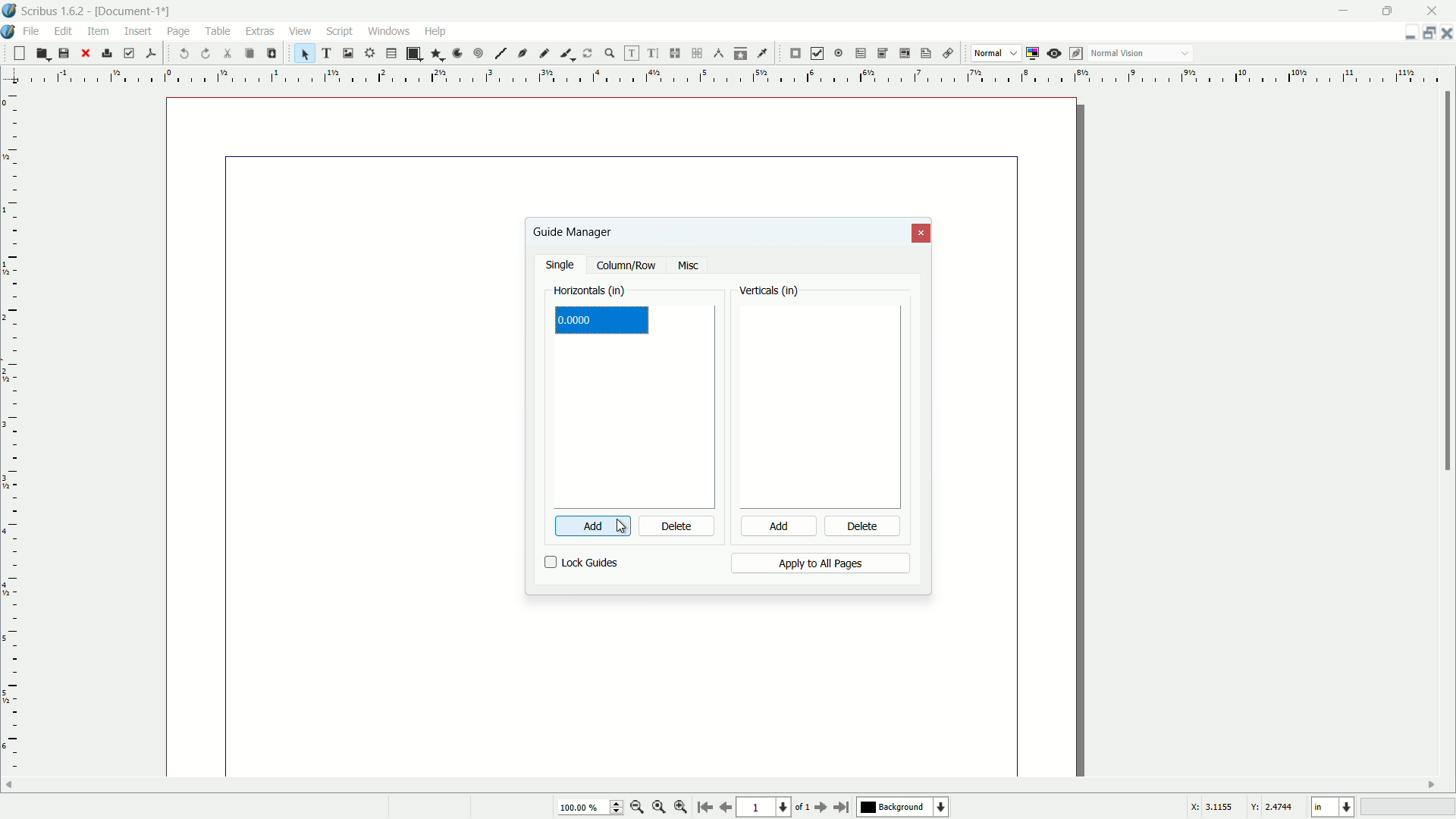 Image resolution: width=1456 pixels, height=819 pixels. Describe the element at coordinates (763, 808) in the screenshot. I see `current page number` at that location.